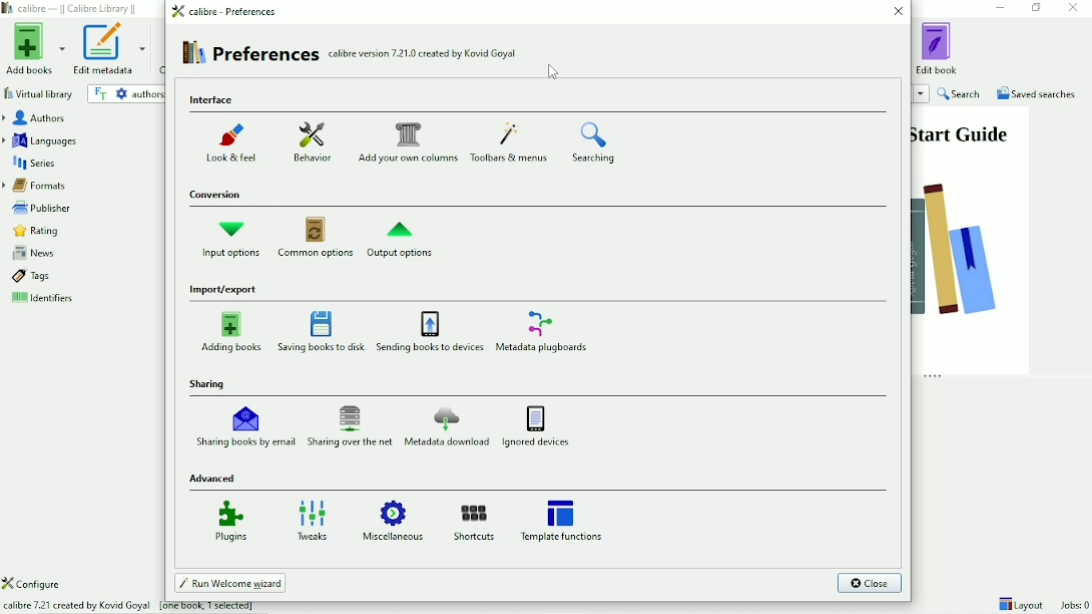 This screenshot has height=614, width=1092. Describe the element at coordinates (81, 232) in the screenshot. I see `Rating` at that location.